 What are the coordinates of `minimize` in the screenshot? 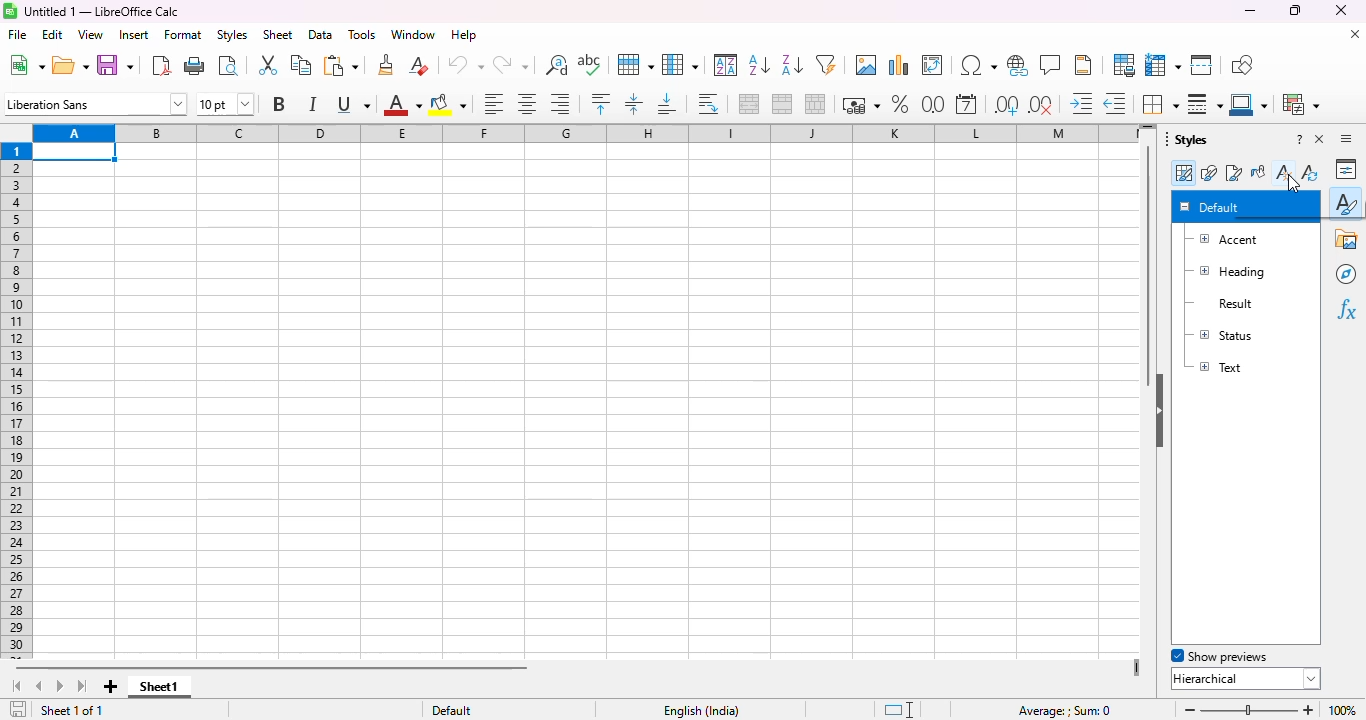 It's located at (1250, 10).